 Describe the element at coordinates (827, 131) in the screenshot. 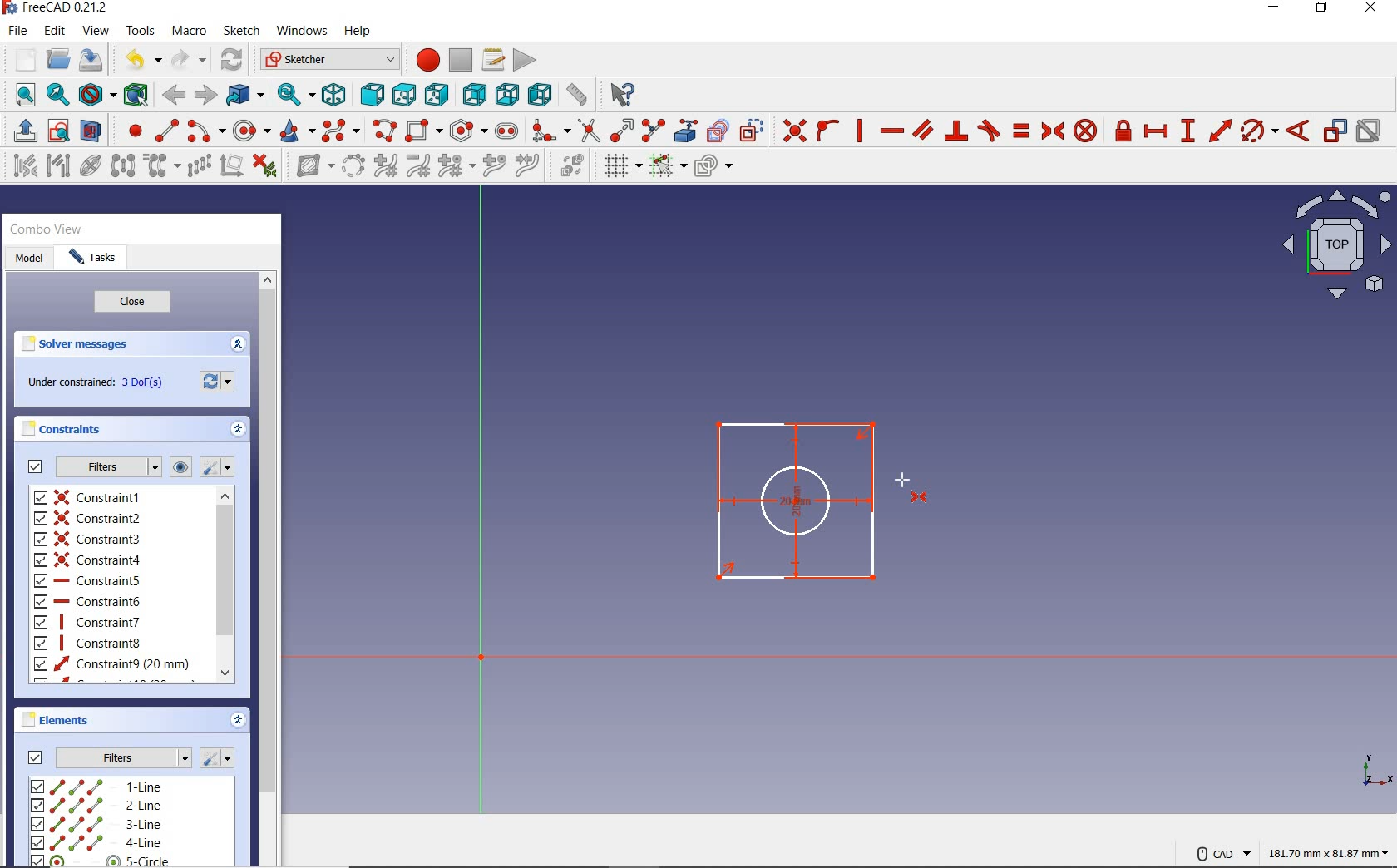

I see `constrain point onto object` at that location.